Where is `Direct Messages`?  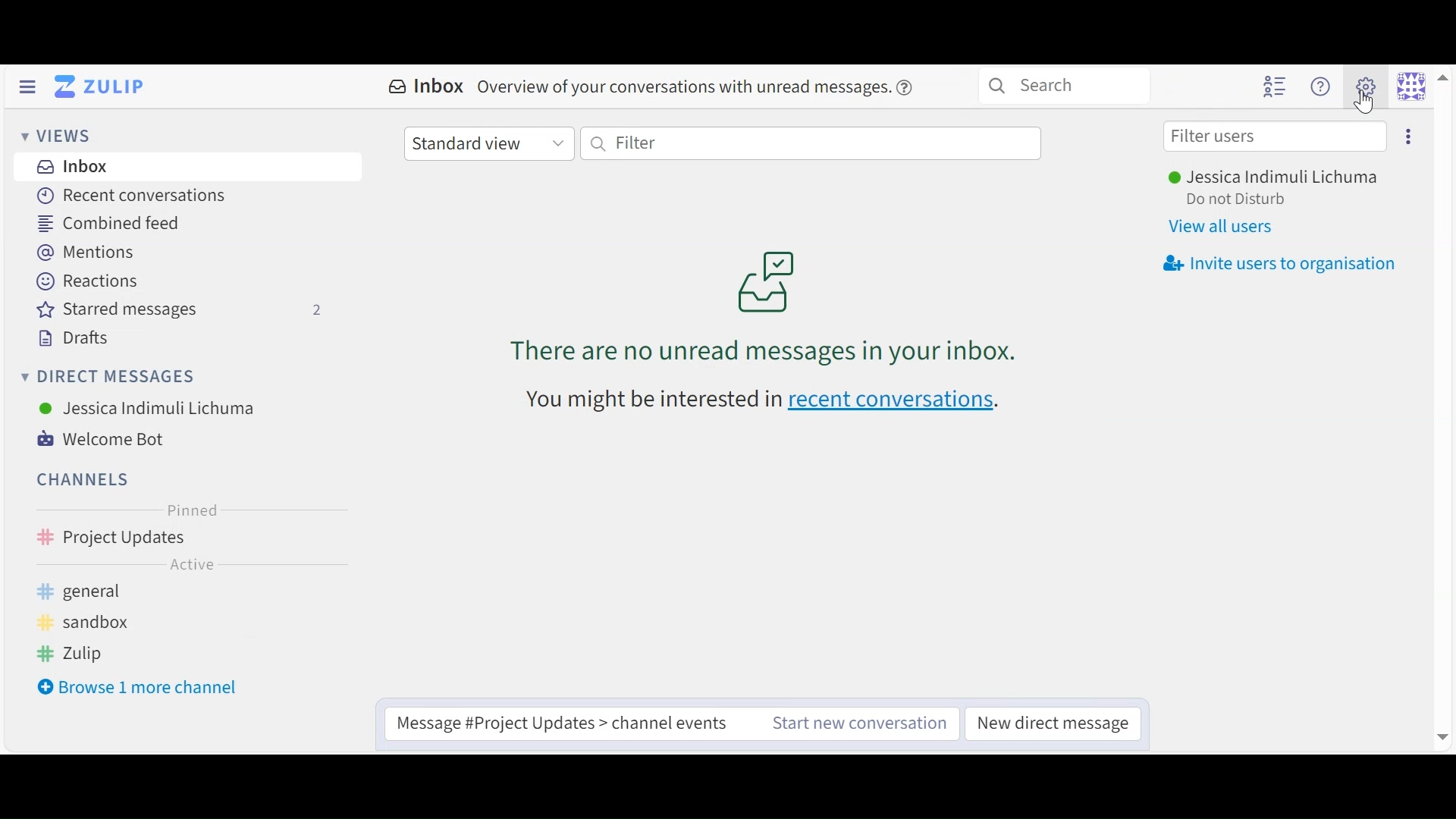
Direct Messages is located at coordinates (108, 378).